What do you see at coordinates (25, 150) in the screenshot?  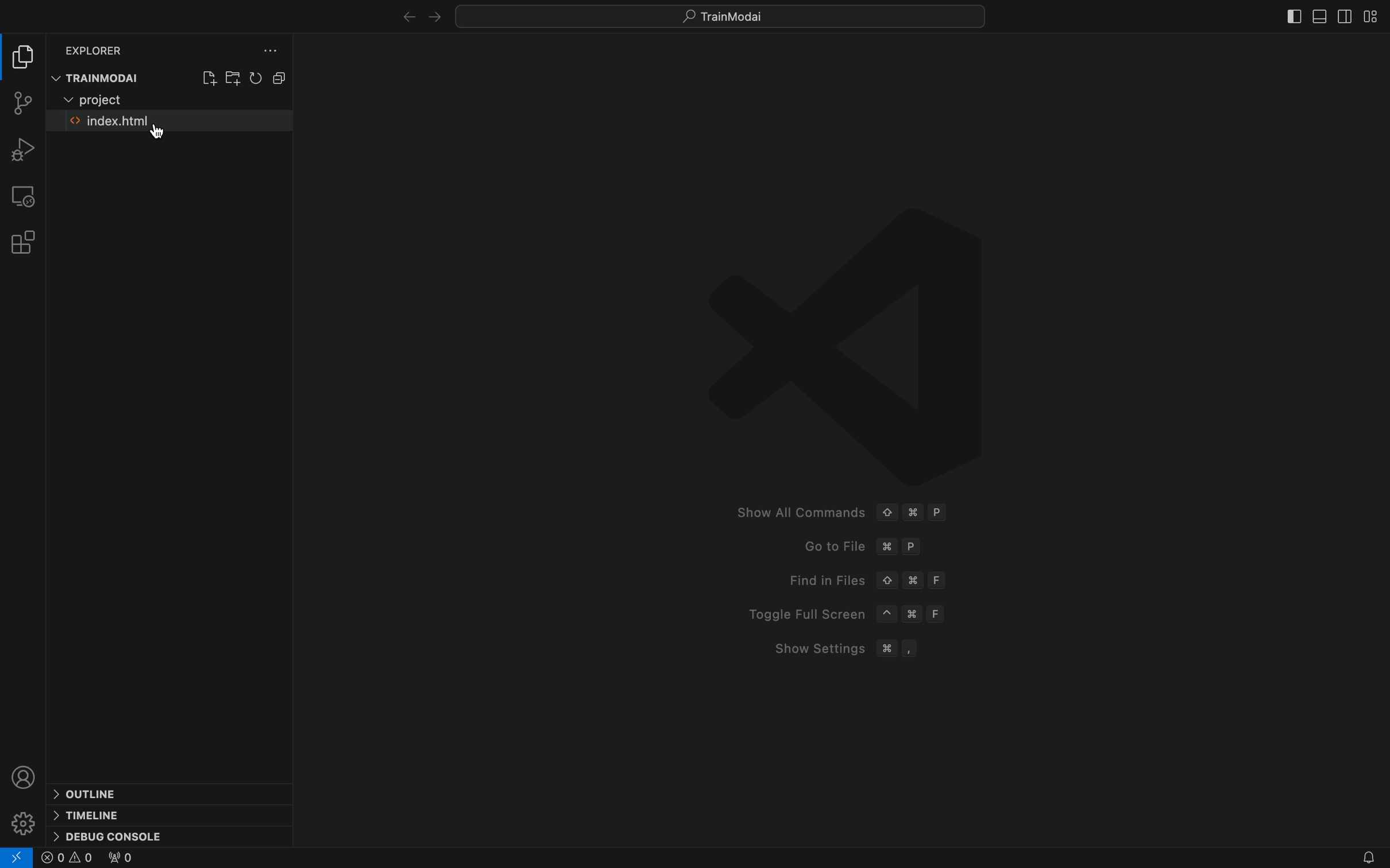 I see `debug tool` at bounding box center [25, 150].